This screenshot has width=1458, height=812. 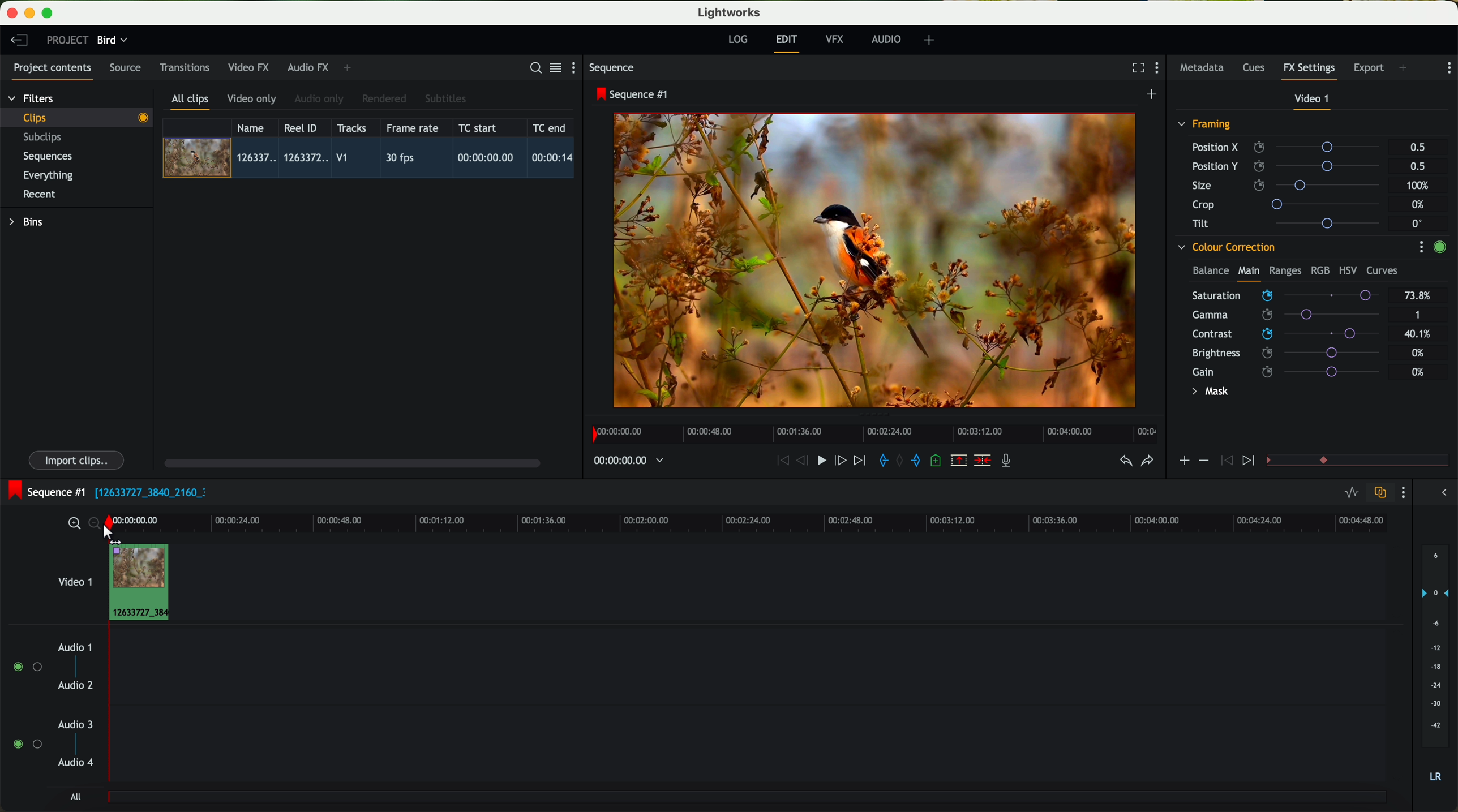 What do you see at coordinates (385, 100) in the screenshot?
I see `rendered` at bounding box center [385, 100].